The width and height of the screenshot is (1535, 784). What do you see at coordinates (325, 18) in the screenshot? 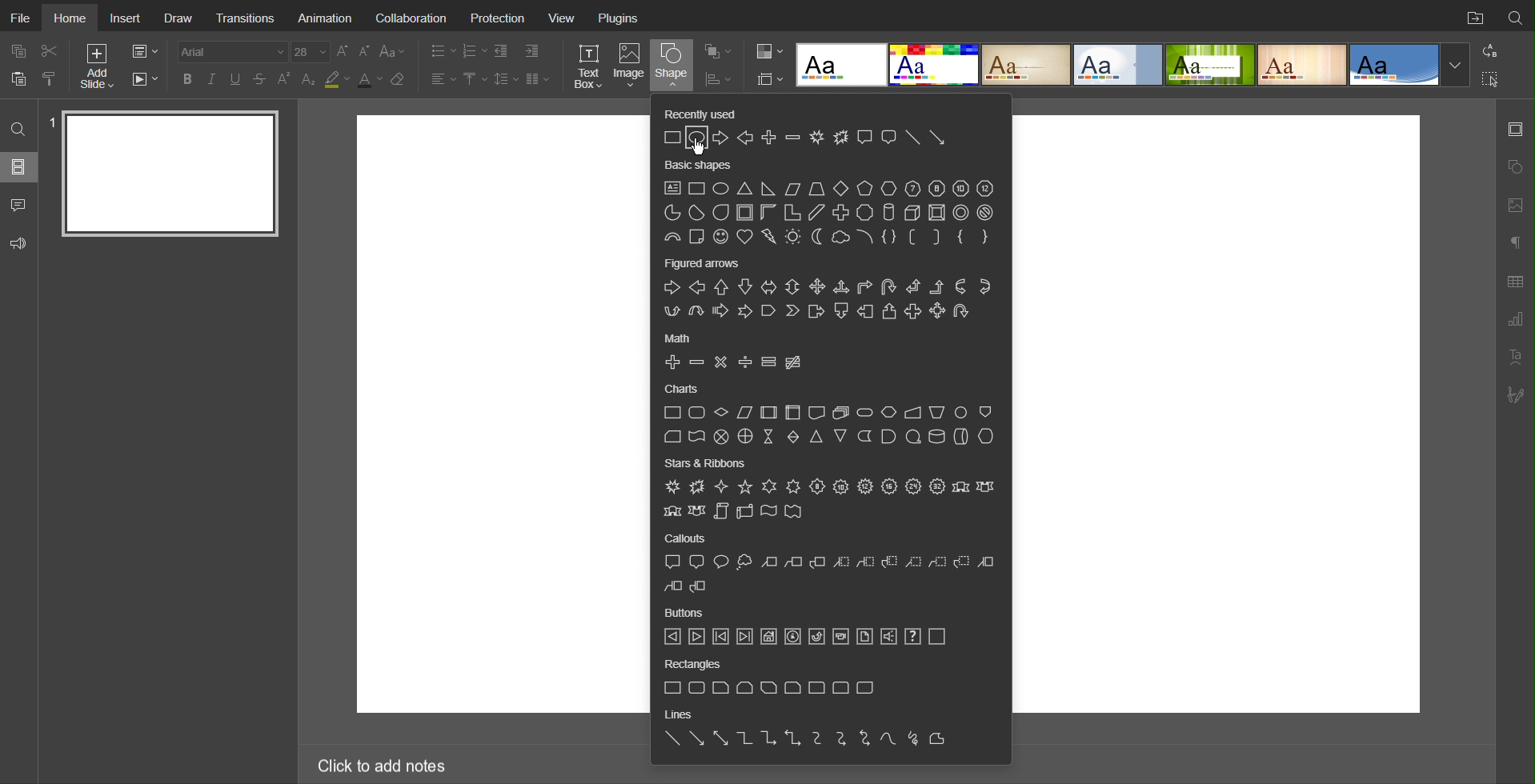
I see `Animation` at bounding box center [325, 18].